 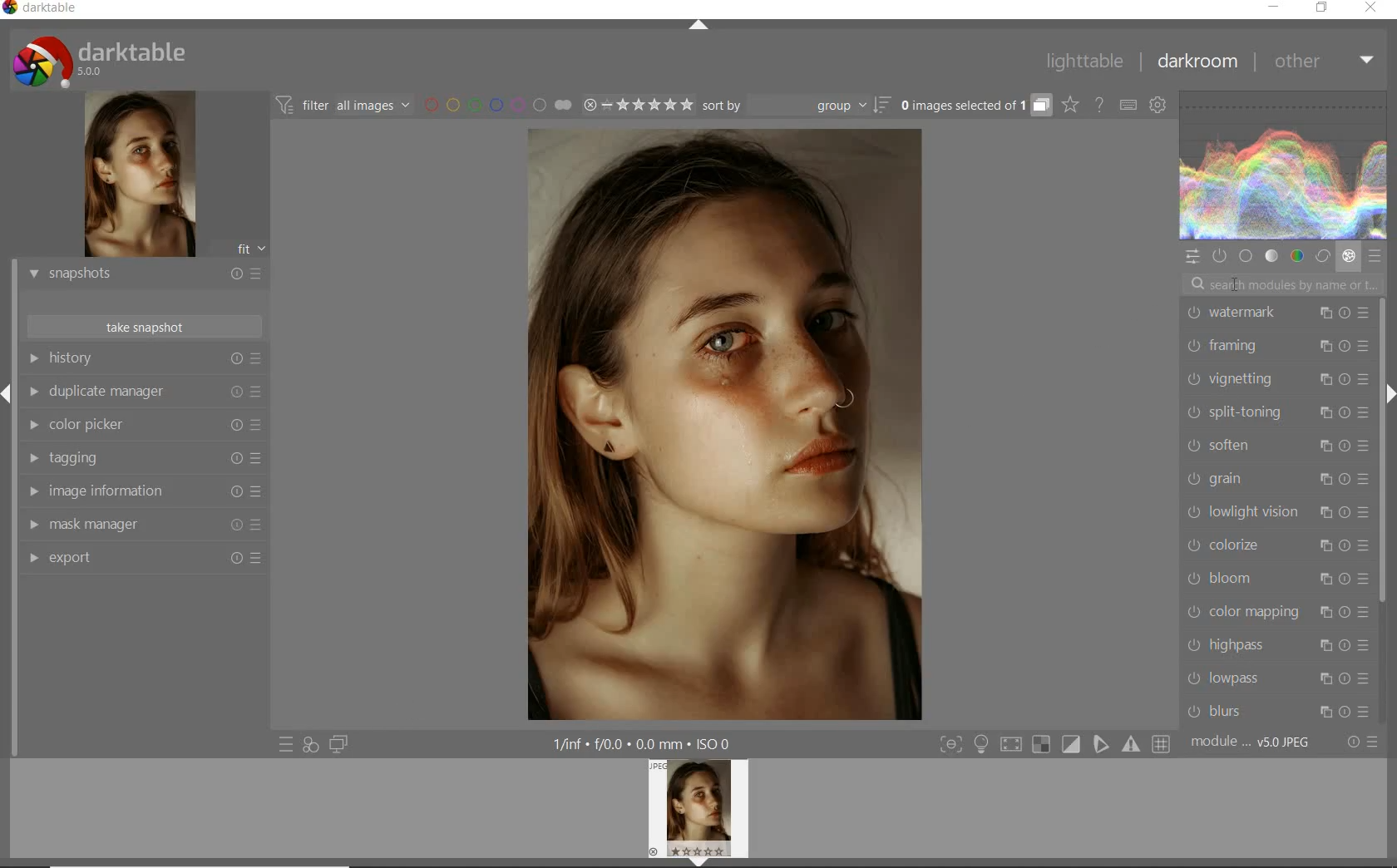 I want to click on image formation, so click(x=141, y=491).